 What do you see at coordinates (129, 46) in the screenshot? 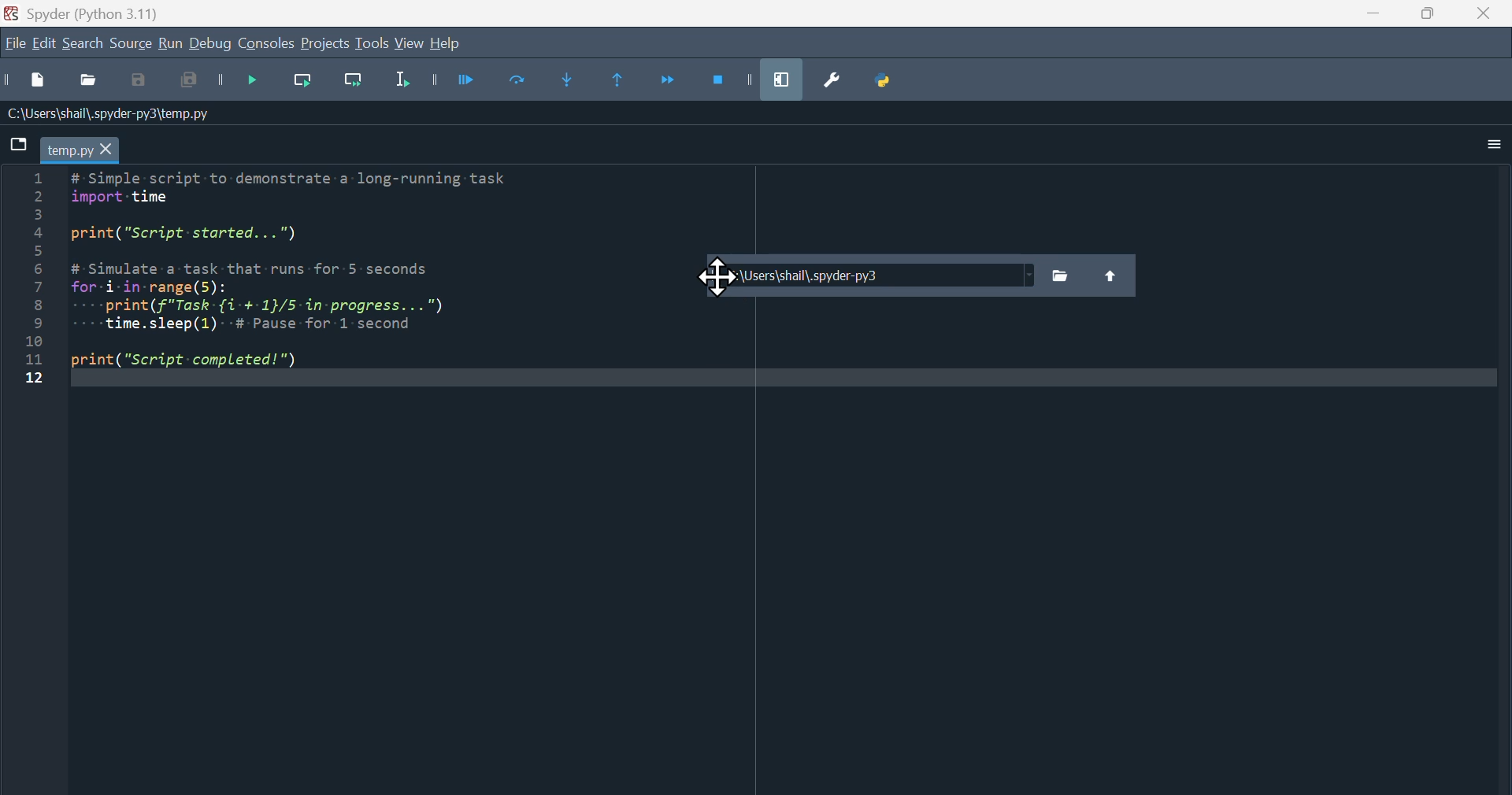
I see `source` at bounding box center [129, 46].